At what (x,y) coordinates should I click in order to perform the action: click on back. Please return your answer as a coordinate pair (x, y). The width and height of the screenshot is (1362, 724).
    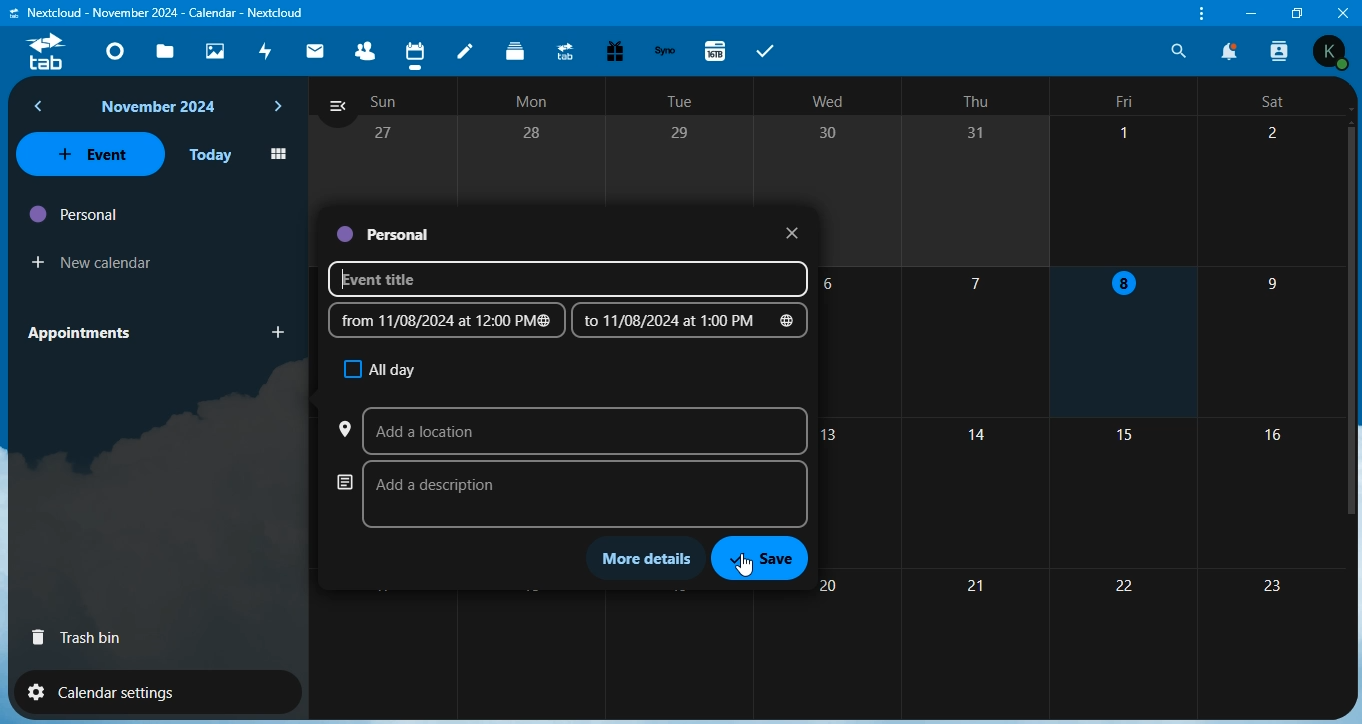
    Looking at the image, I should click on (42, 107).